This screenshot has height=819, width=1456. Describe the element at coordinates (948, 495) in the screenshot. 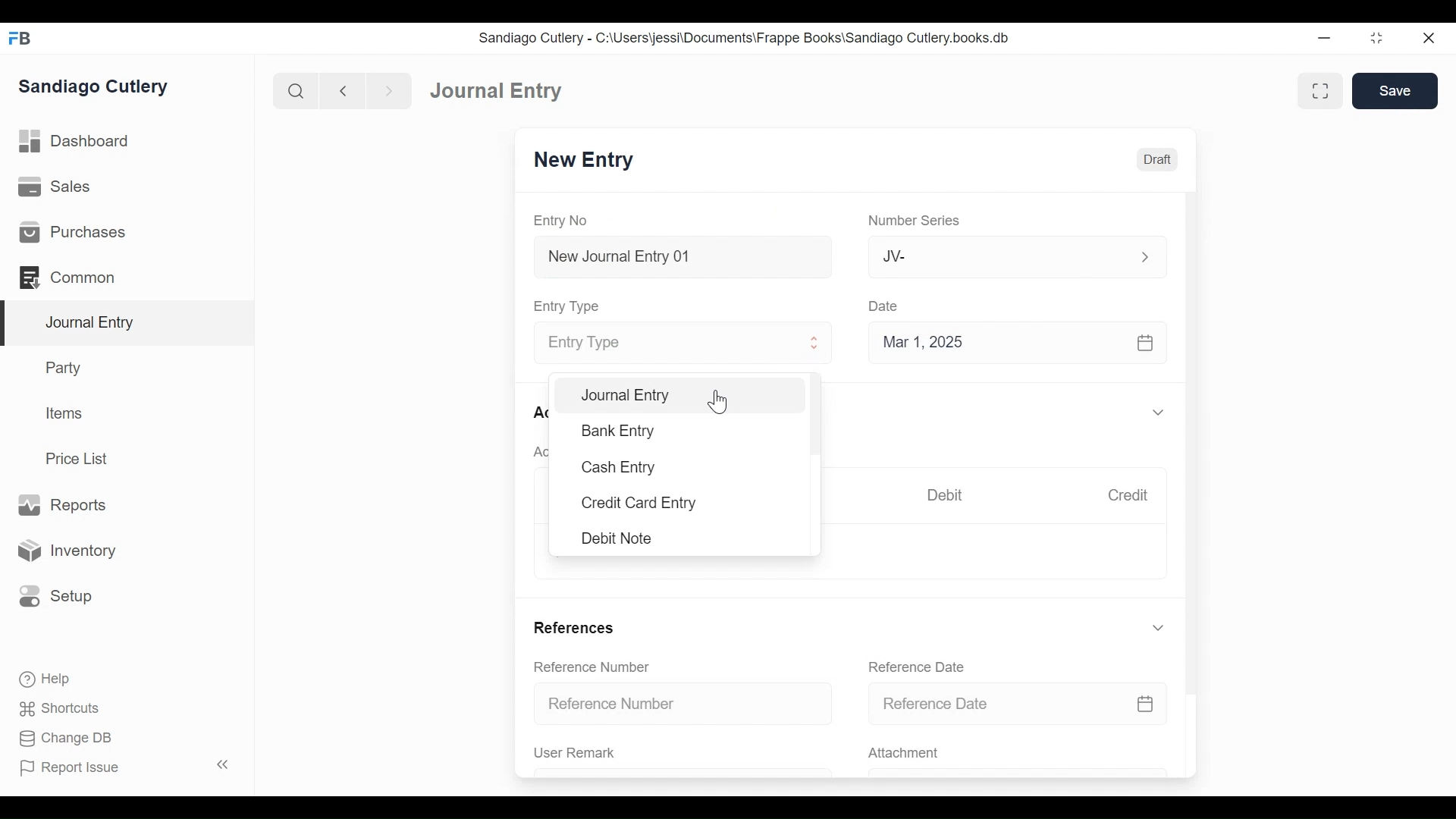

I see `Debit` at that location.